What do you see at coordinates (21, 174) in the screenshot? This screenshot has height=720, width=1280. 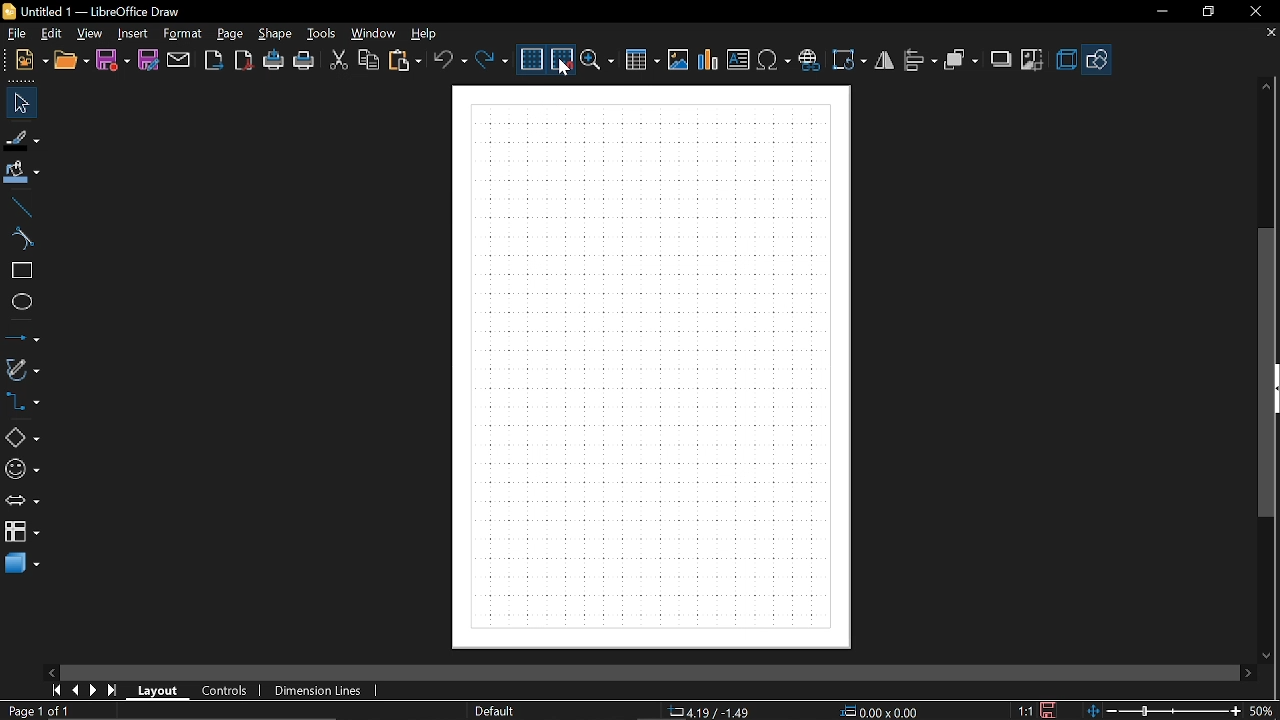 I see `fill color` at bounding box center [21, 174].